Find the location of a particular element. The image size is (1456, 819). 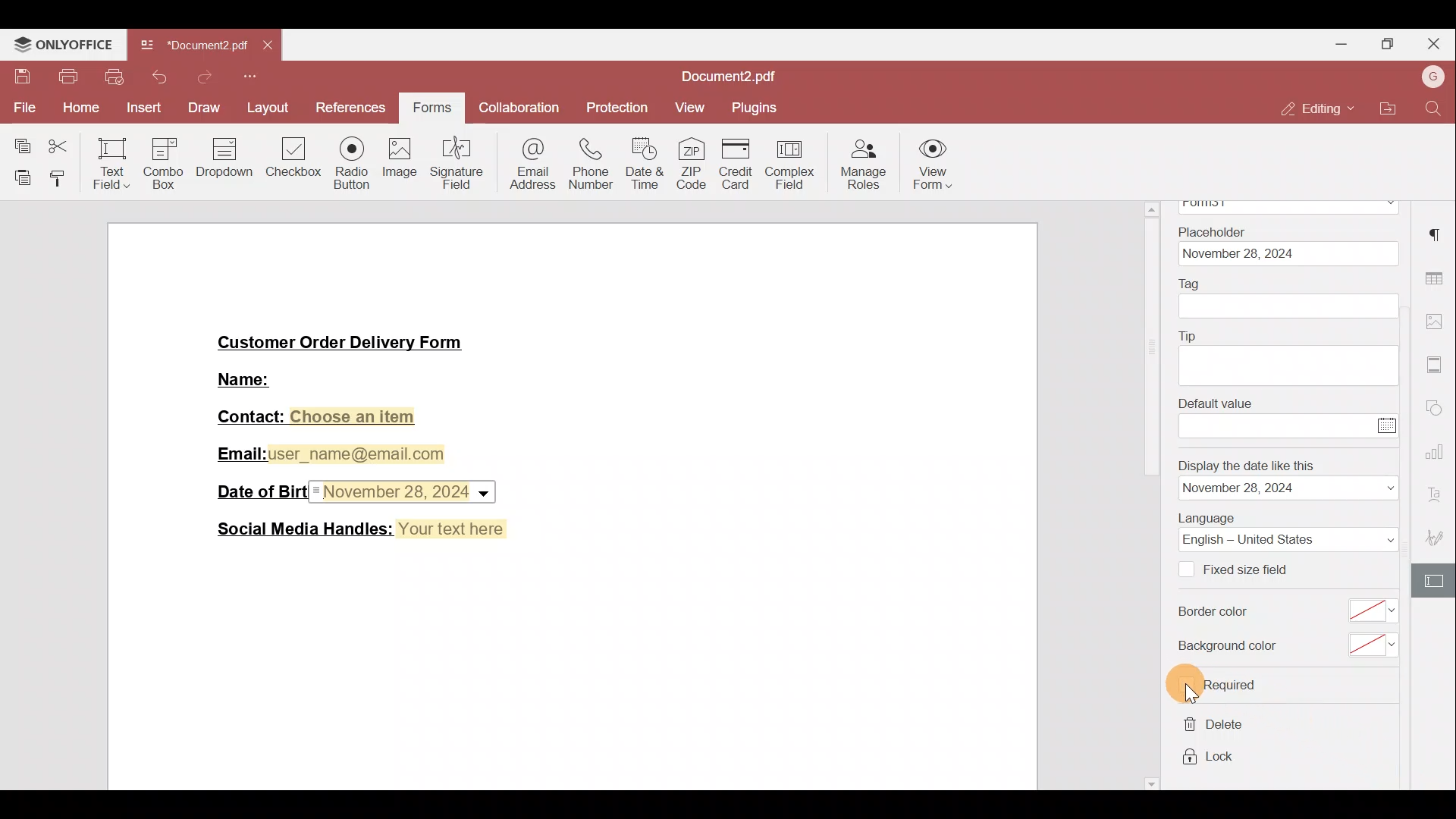

Language  is located at coordinates (1287, 538).